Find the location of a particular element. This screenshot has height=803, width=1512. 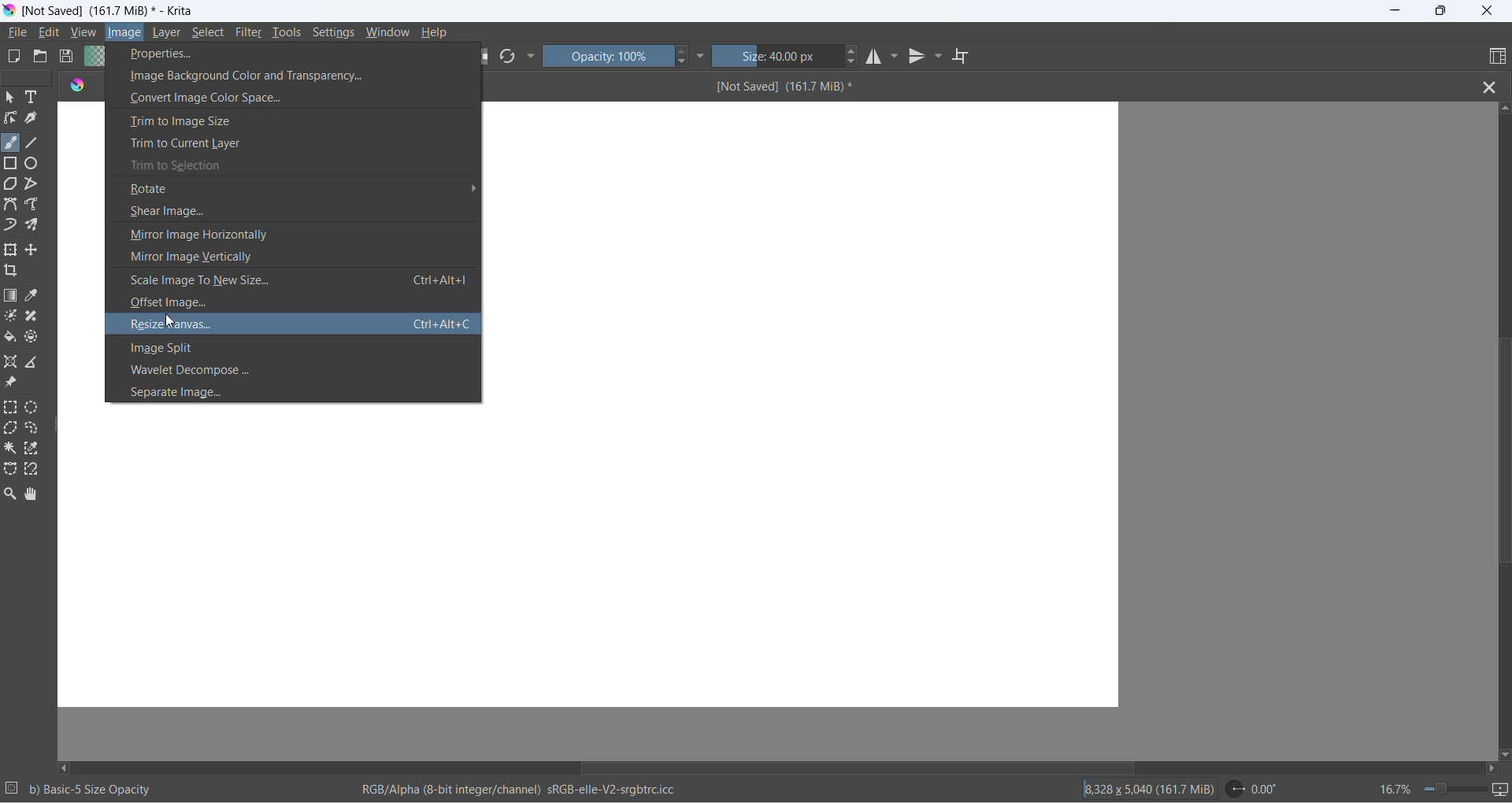

sample a color is located at coordinates (34, 297).